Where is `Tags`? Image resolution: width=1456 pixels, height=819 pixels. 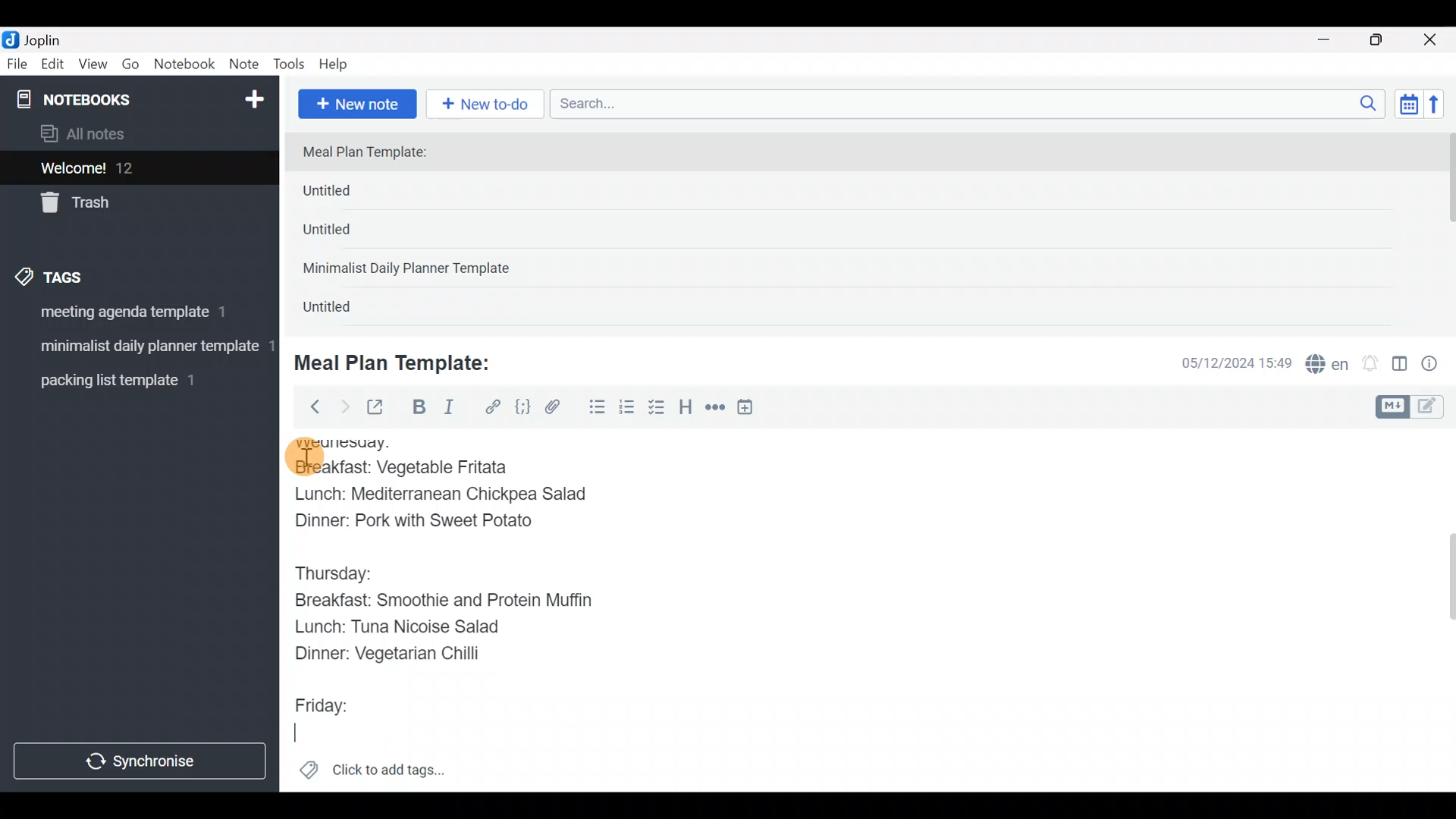
Tags is located at coordinates (85, 275).